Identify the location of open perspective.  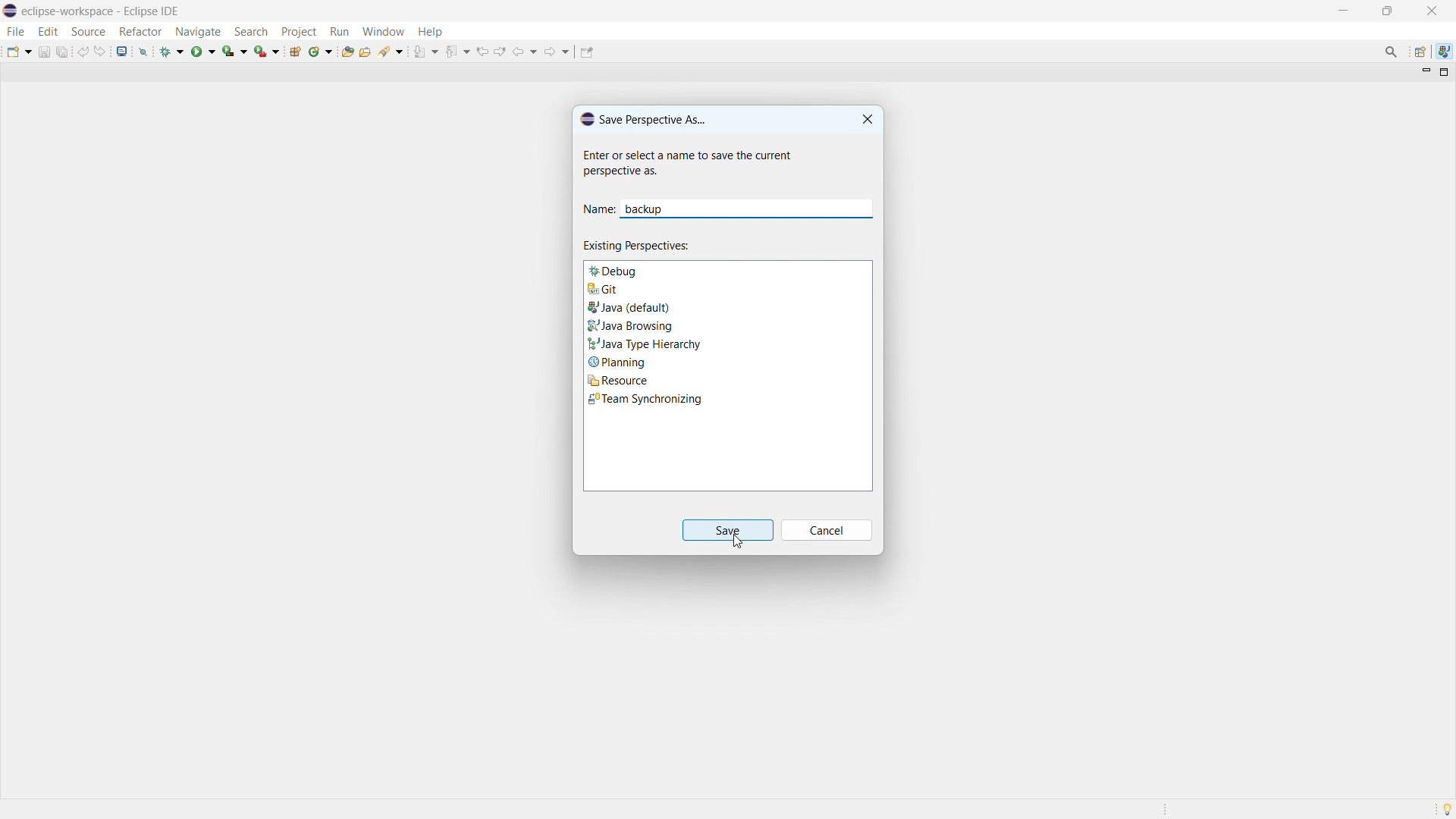
(1420, 52).